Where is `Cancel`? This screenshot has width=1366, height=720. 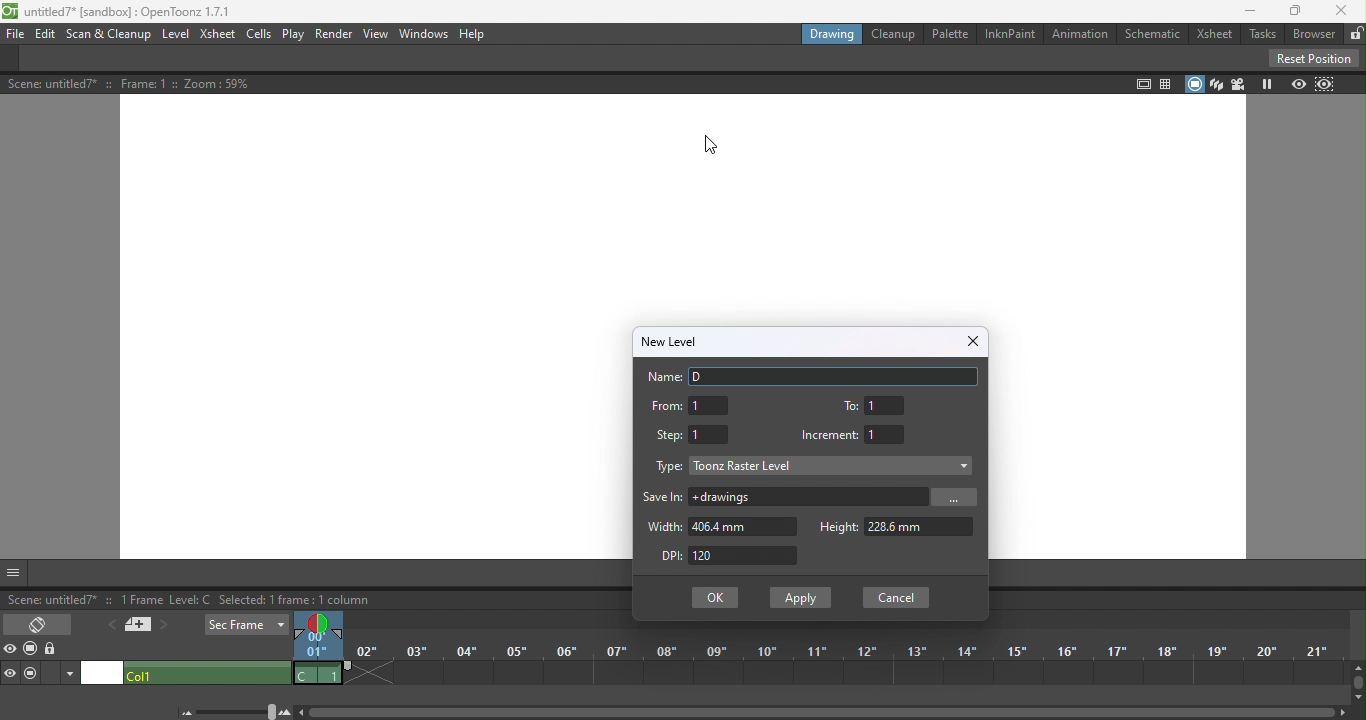
Cancel is located at coordinates (892, 598).